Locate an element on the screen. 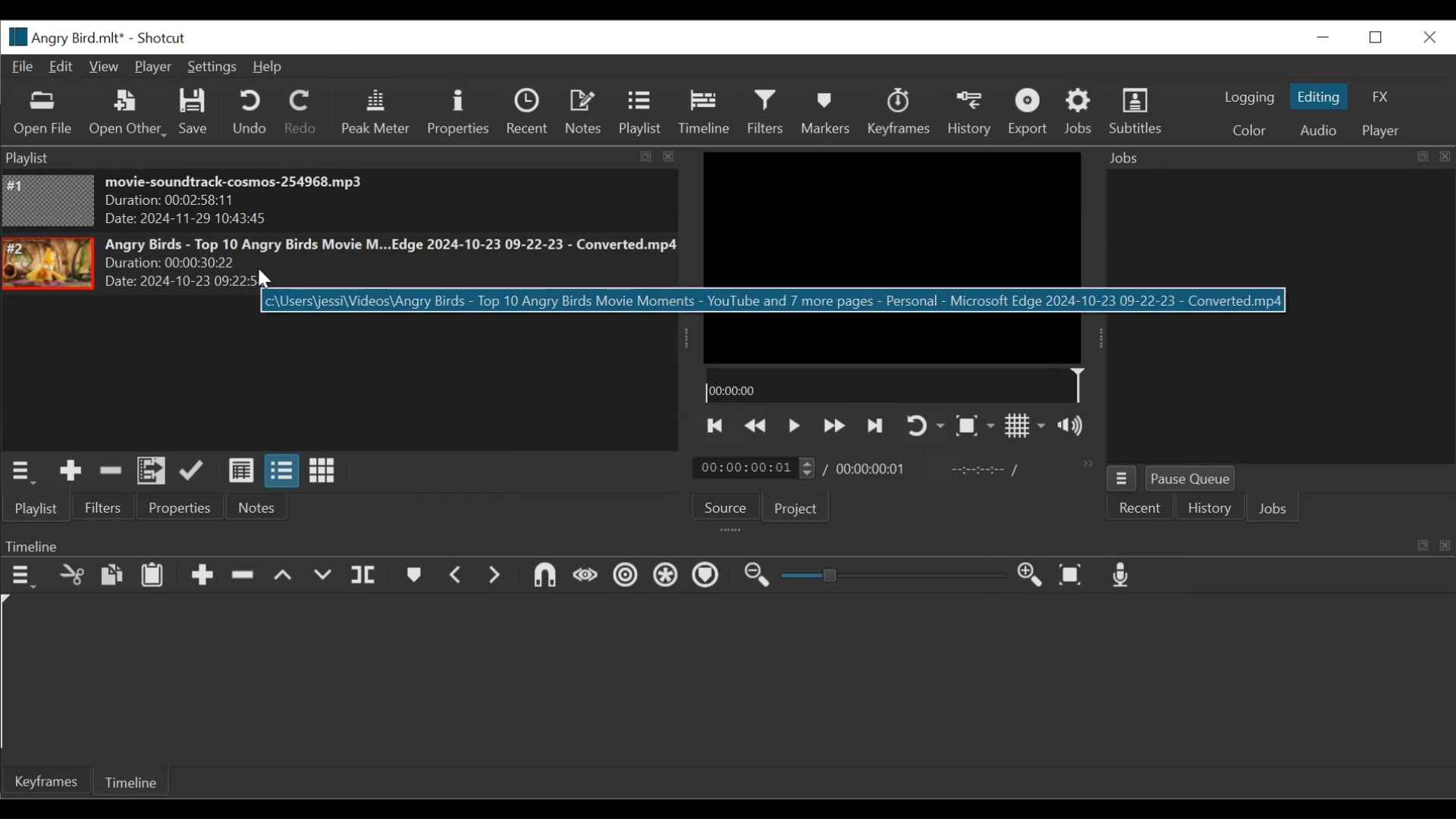 The image size is (1456, 819). View as files is located at coordinates (281, 472).